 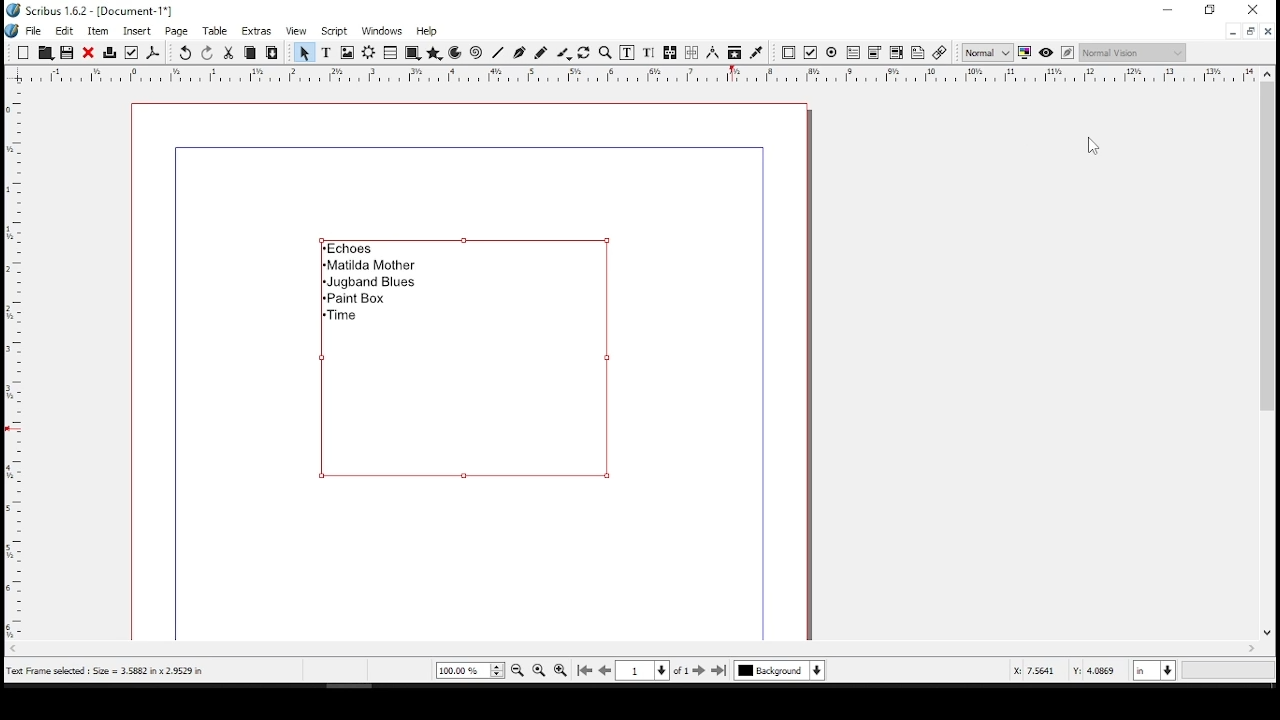 I want to click on item, so click(x=97, y=31).